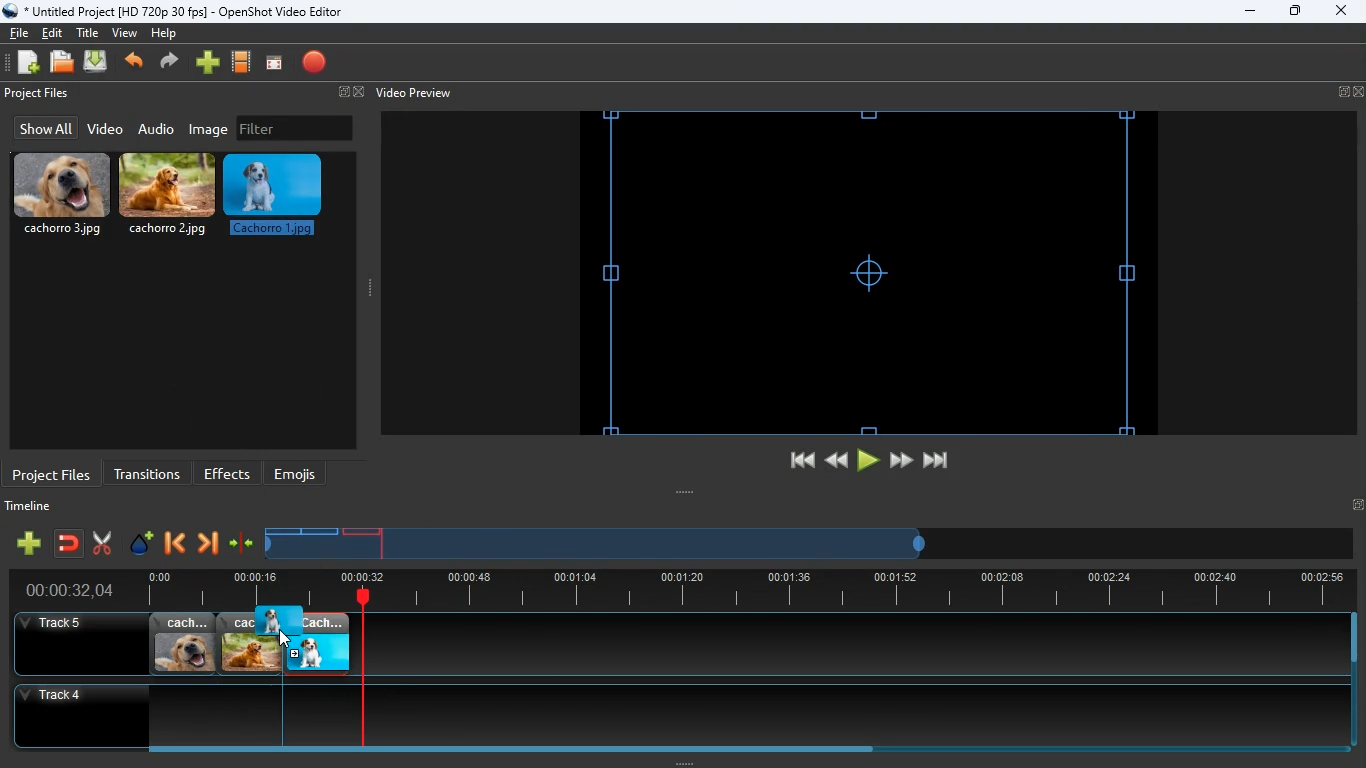  What do you see at coordinates (63, 63) in the screenshot?
I see `files` at bounding box center [63, 63].